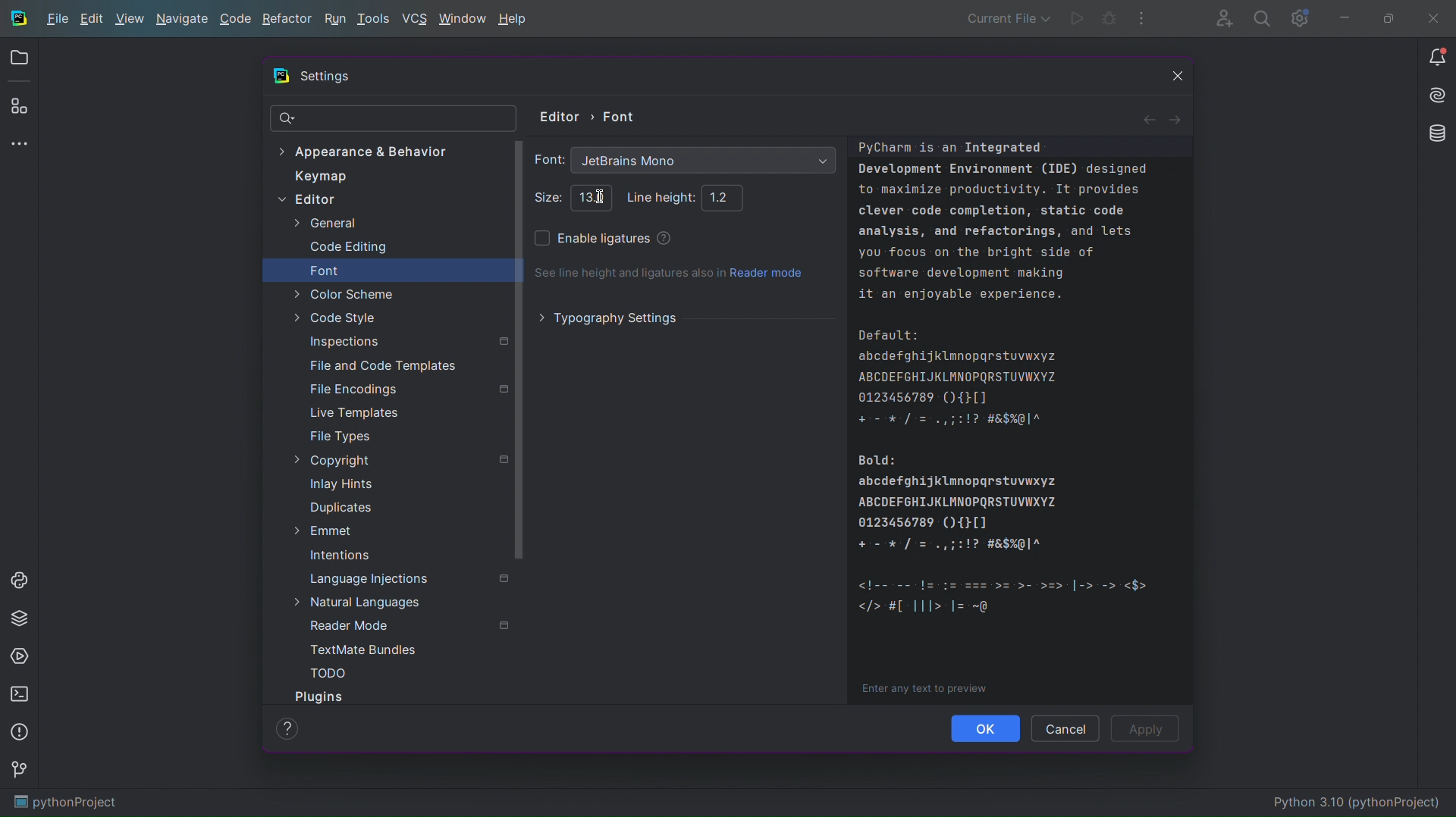 The image size is (1456, 817). What do you see at coordinates (56, 20) in the screenshot?
I see `File` at bounding box center [56, 20].